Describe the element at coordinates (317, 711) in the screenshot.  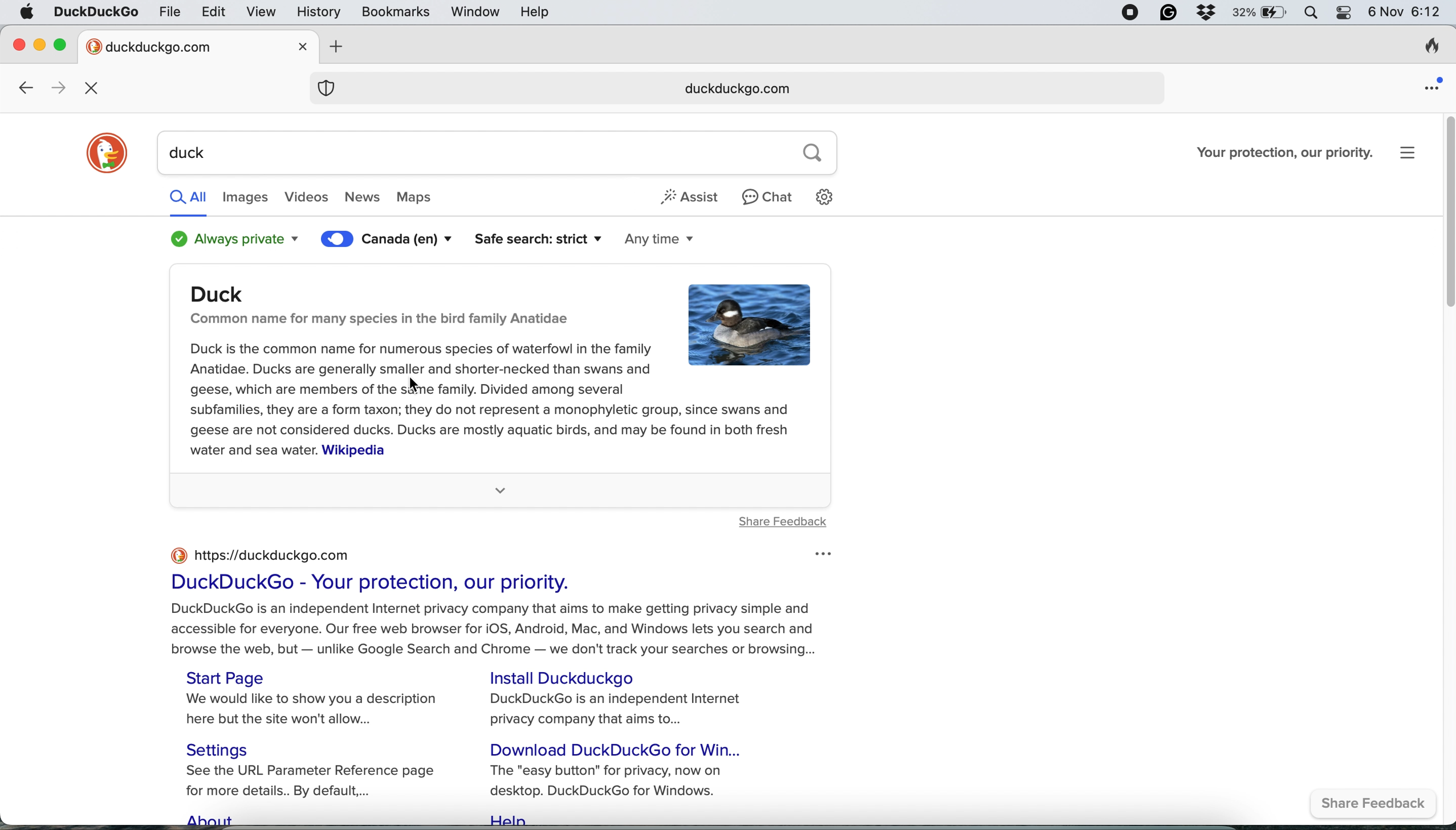
I see `We would like to show you a description
here but the site won't allow...` at that location.